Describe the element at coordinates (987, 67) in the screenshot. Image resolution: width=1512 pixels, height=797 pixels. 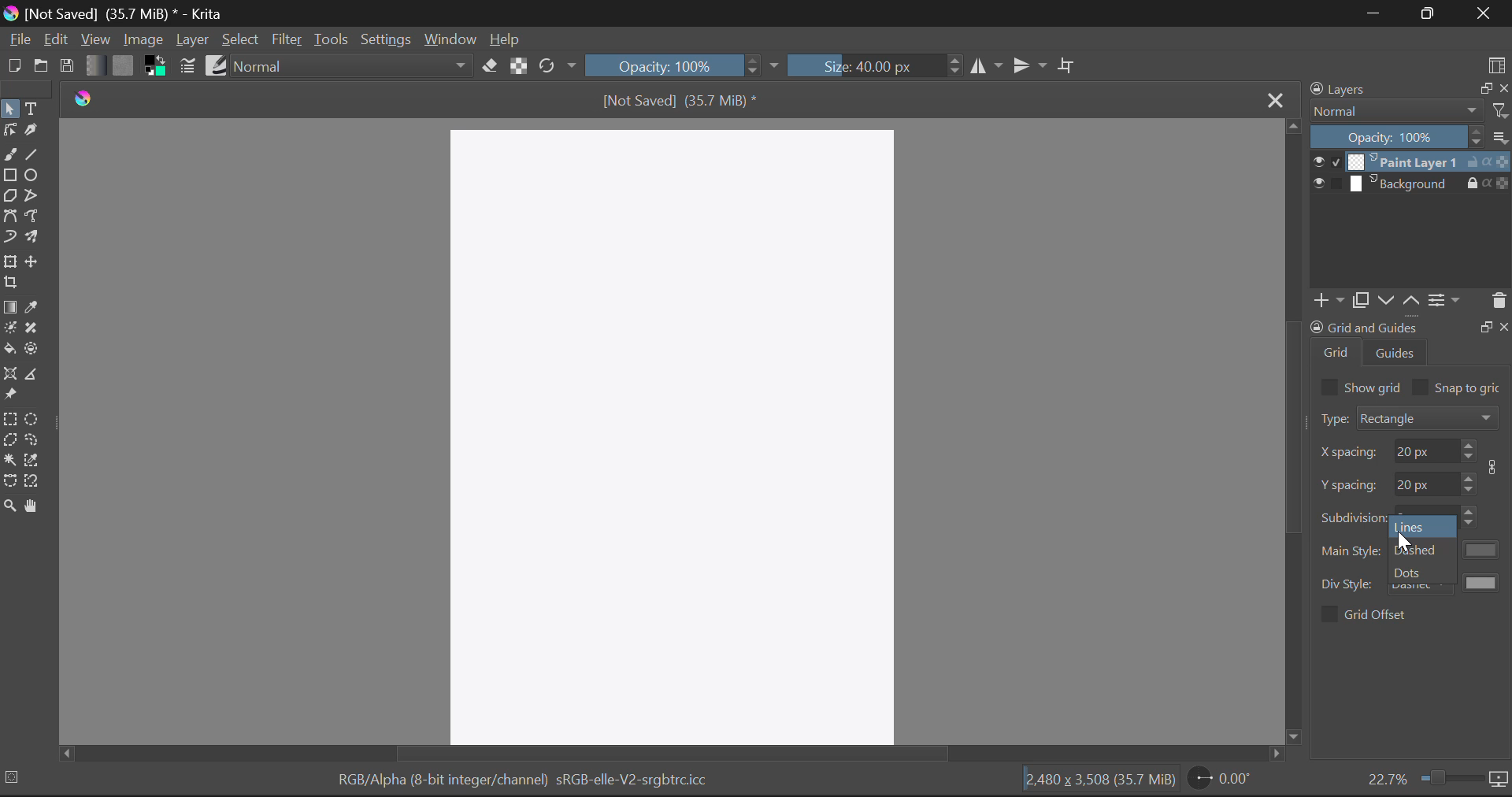
I see `Vertical Mirror Flip` at that location.